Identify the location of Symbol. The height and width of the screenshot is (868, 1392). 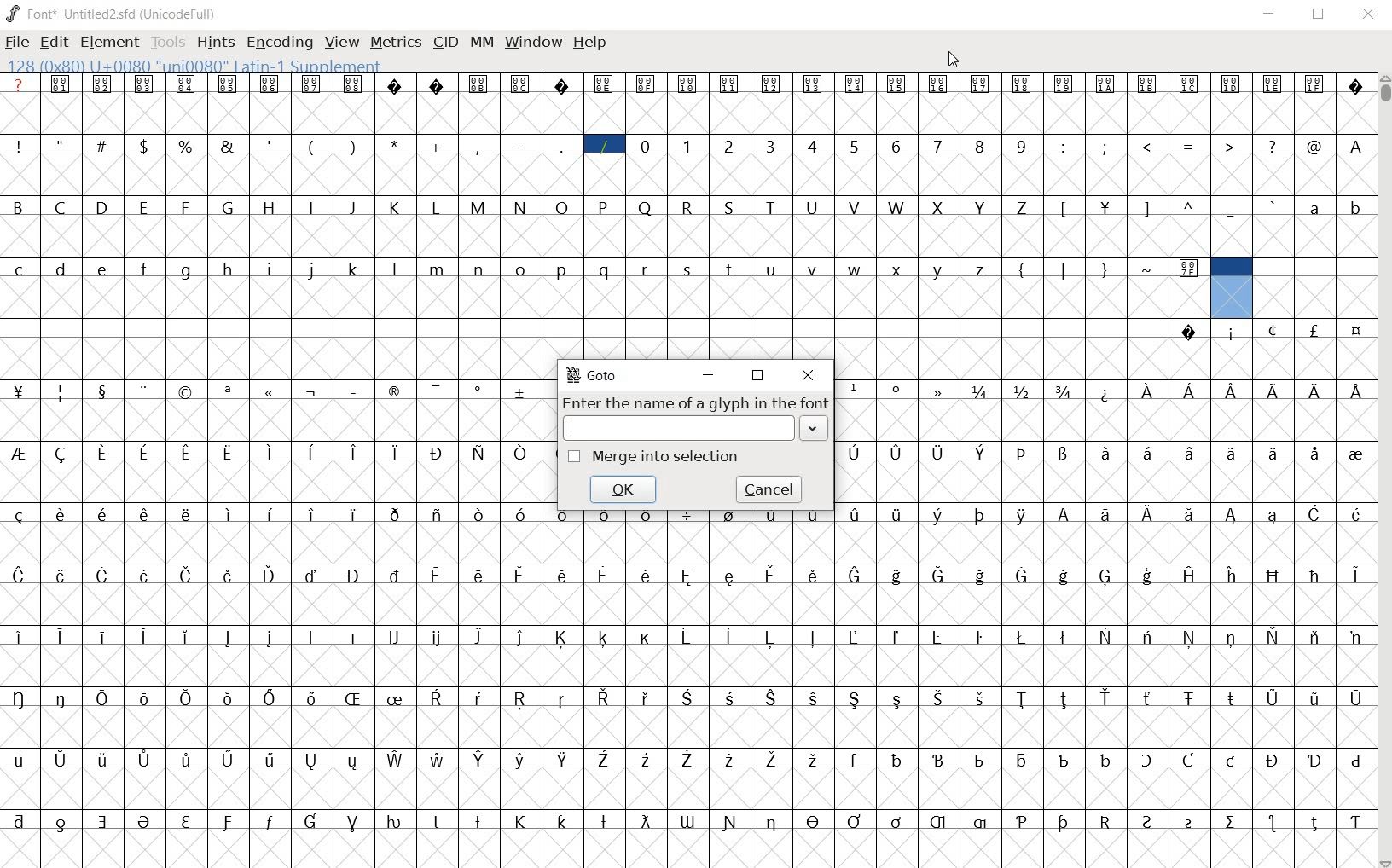
(856, 821).